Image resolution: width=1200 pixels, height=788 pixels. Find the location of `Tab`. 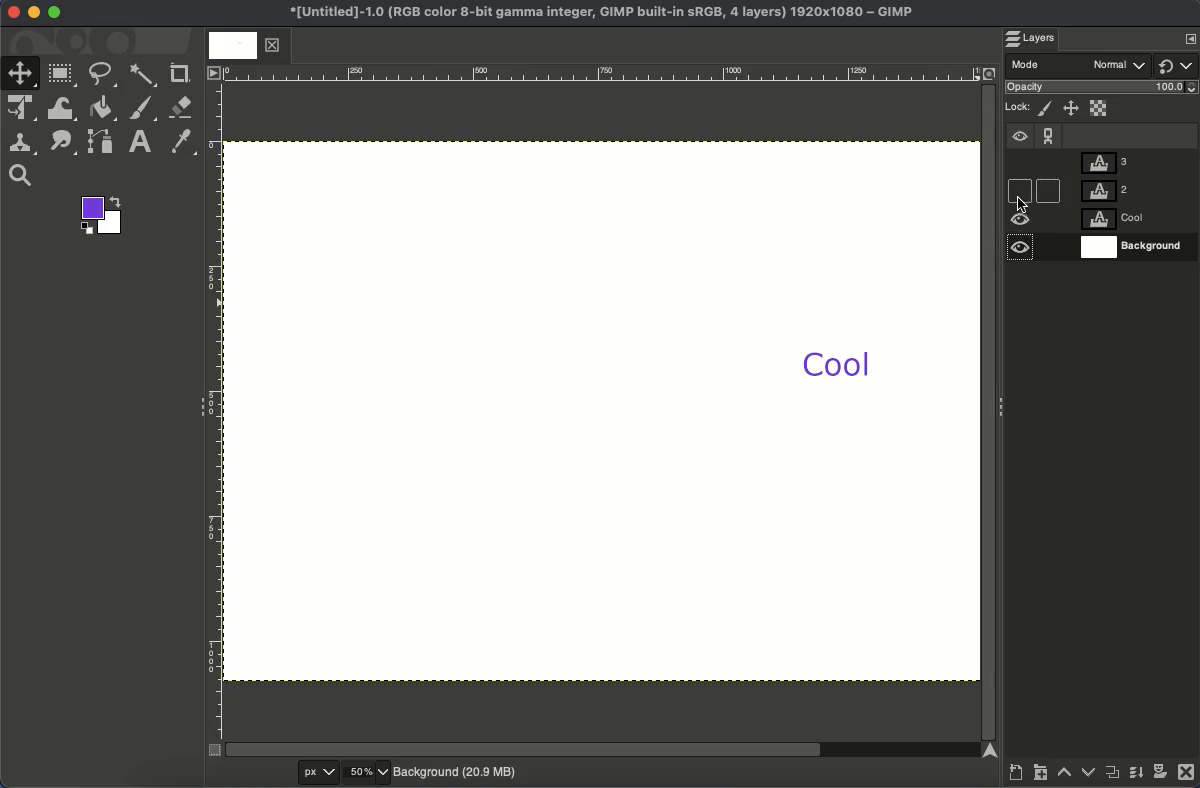

Tab is located at coordinates (243, 46).